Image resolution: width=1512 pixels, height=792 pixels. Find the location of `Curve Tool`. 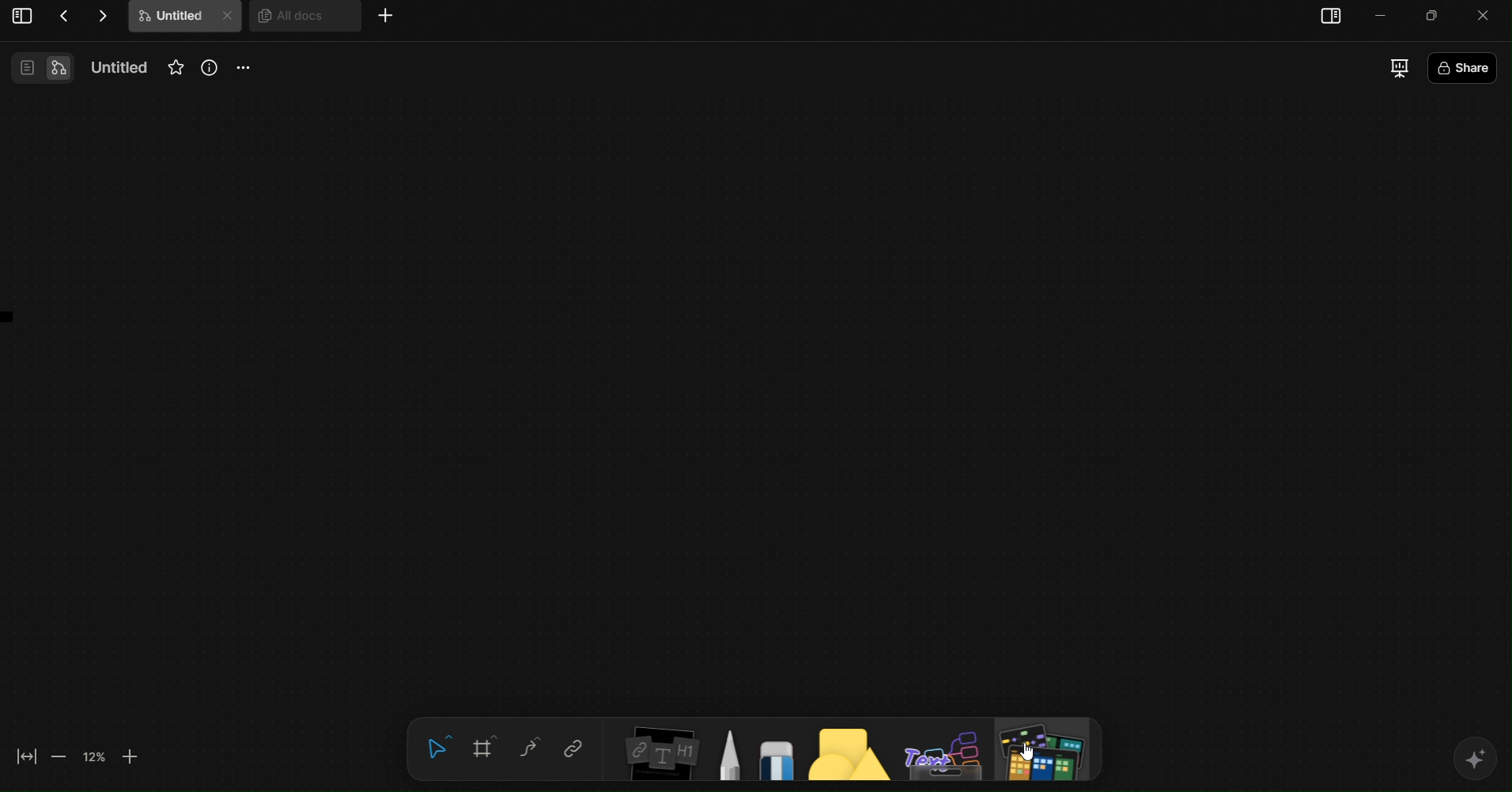

Curve Tool is located at coordinates (528, 749).